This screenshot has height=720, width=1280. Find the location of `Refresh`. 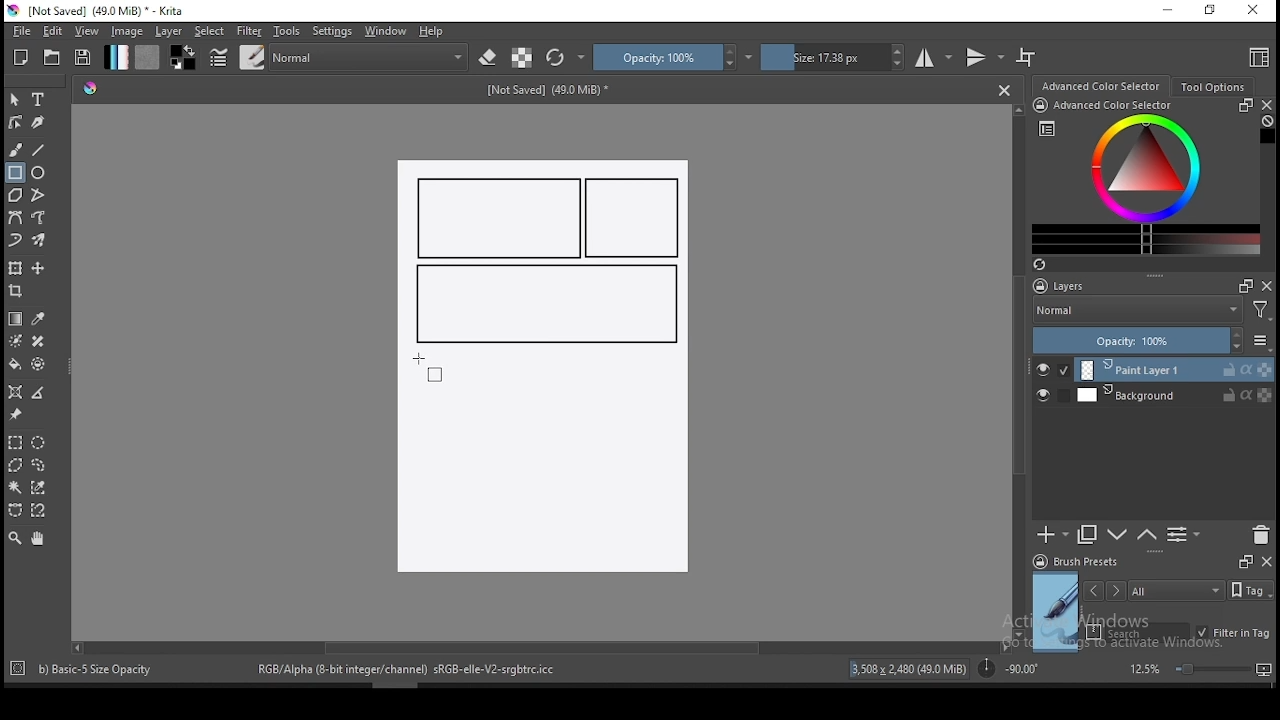

Refresh is located at coordinates (1047, 266).